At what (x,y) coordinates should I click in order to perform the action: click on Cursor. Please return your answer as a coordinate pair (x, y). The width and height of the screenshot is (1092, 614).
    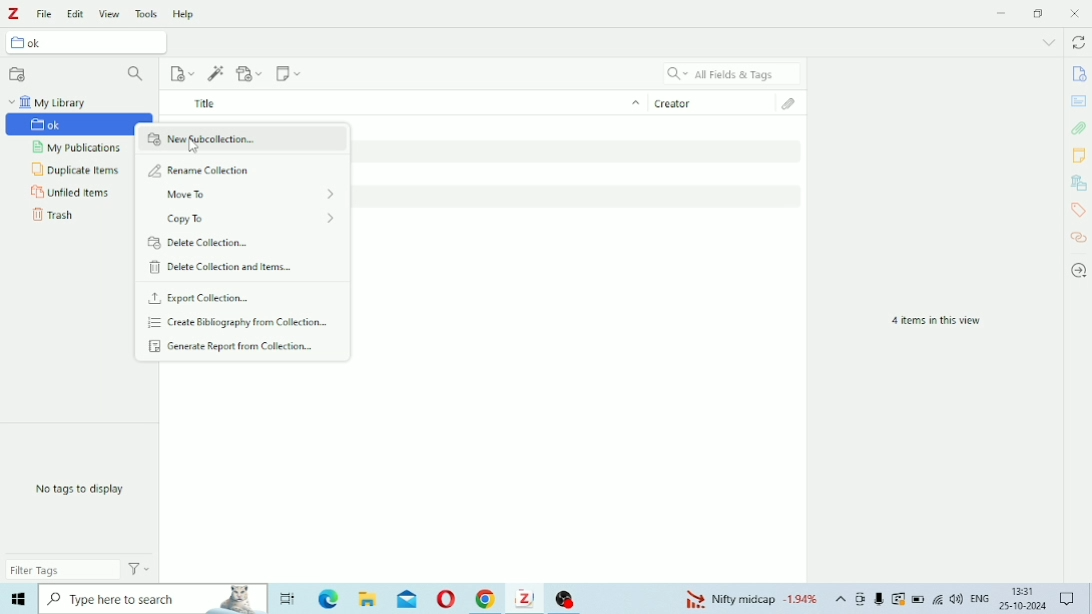
    Looking at the image, I should click on (195, 146).